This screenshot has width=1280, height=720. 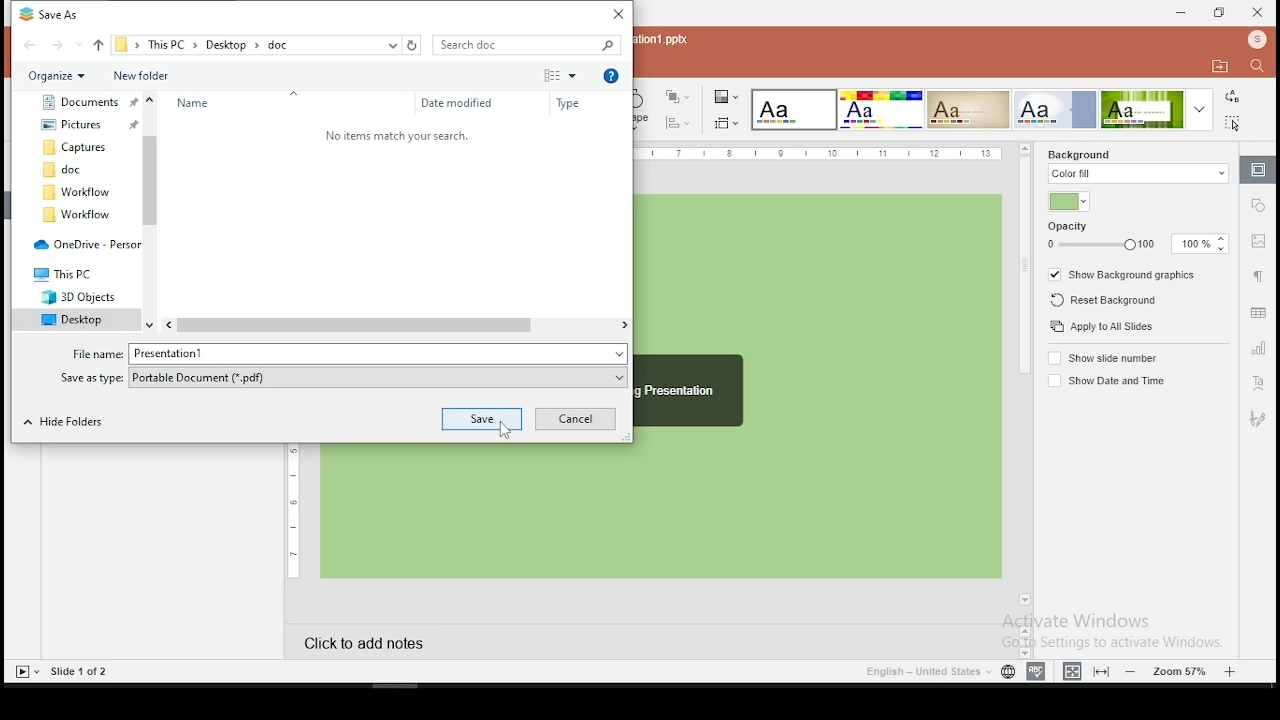 What do you see at coordinates (1218, 13) in the screenshot?
I see `restore` at bounding box center [1218, 13].